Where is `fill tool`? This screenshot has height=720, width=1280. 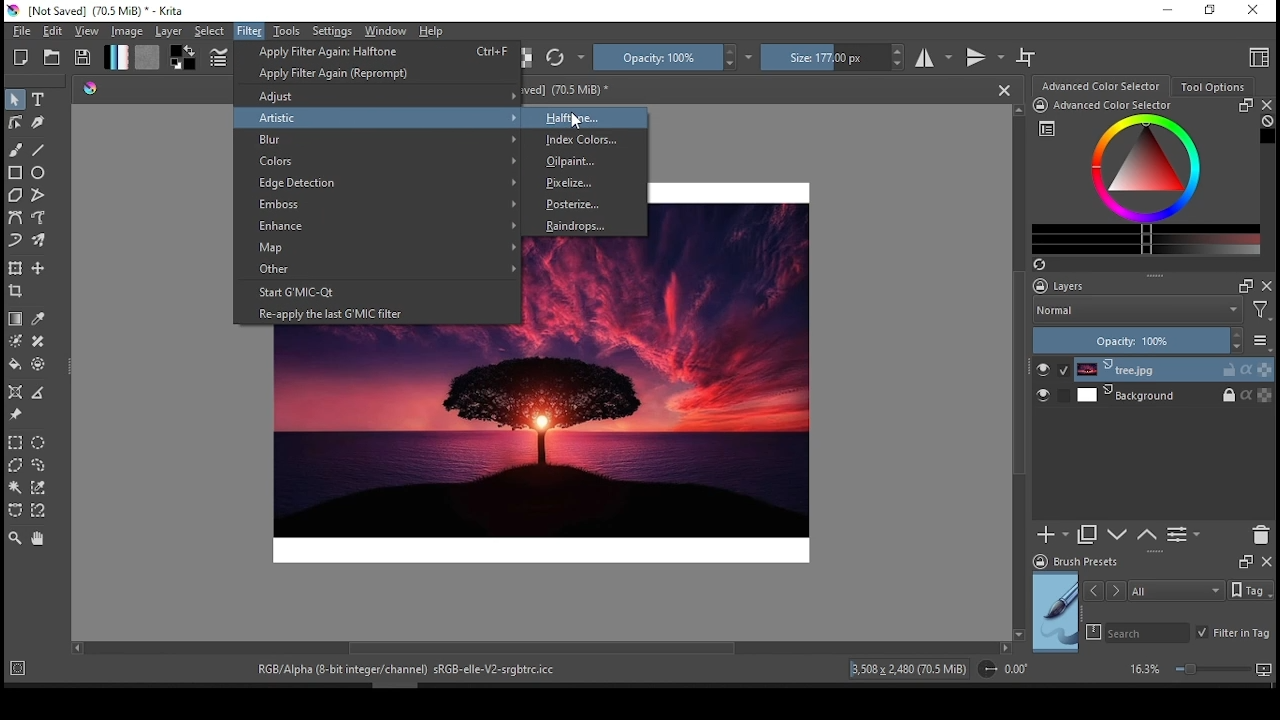 fill tool is located at coordinates (15, 364).